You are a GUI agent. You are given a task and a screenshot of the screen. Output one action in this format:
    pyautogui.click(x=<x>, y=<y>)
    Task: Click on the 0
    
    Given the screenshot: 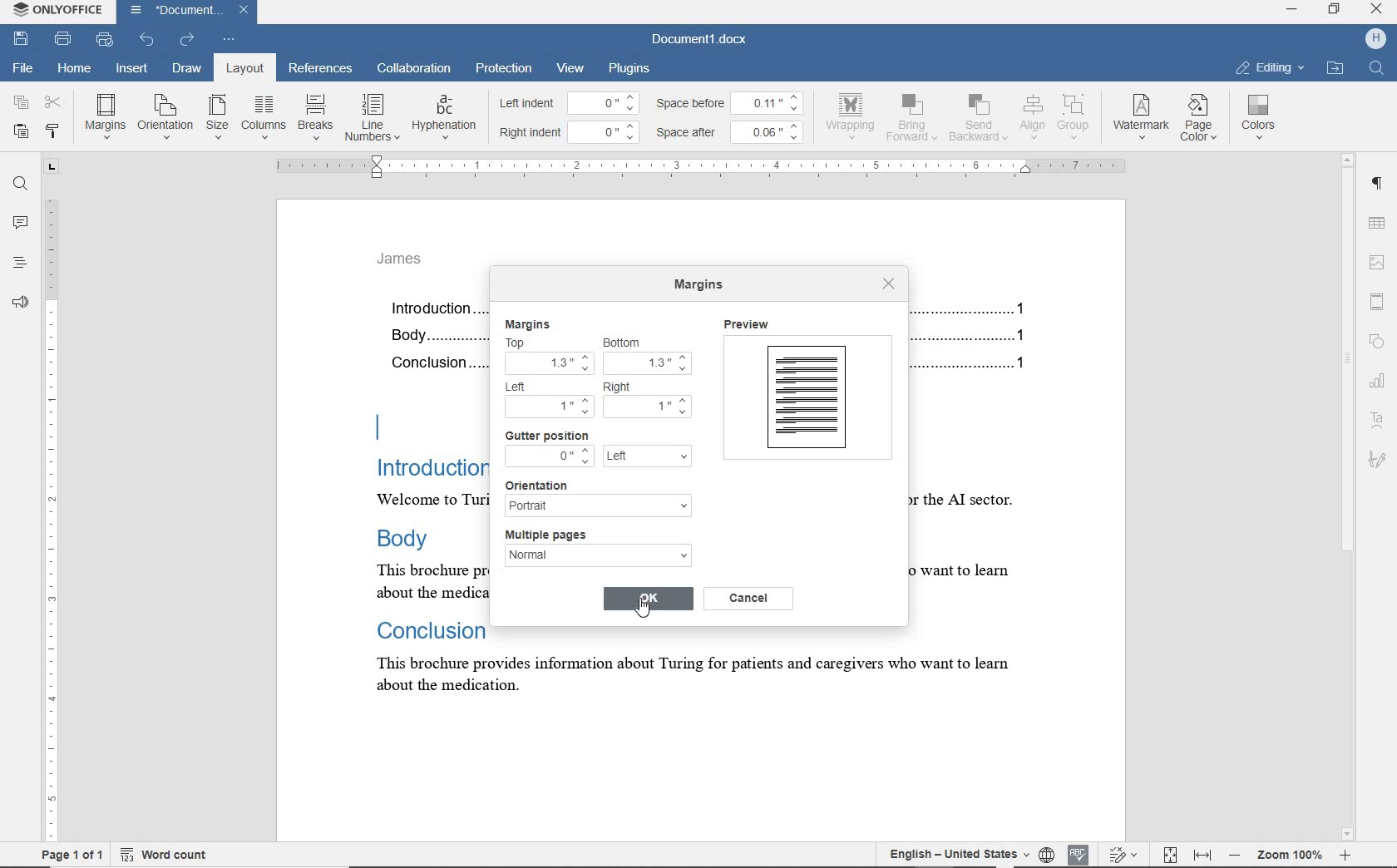 What is the action you would take?
    pyautogui.click(x=607, y=130)
    